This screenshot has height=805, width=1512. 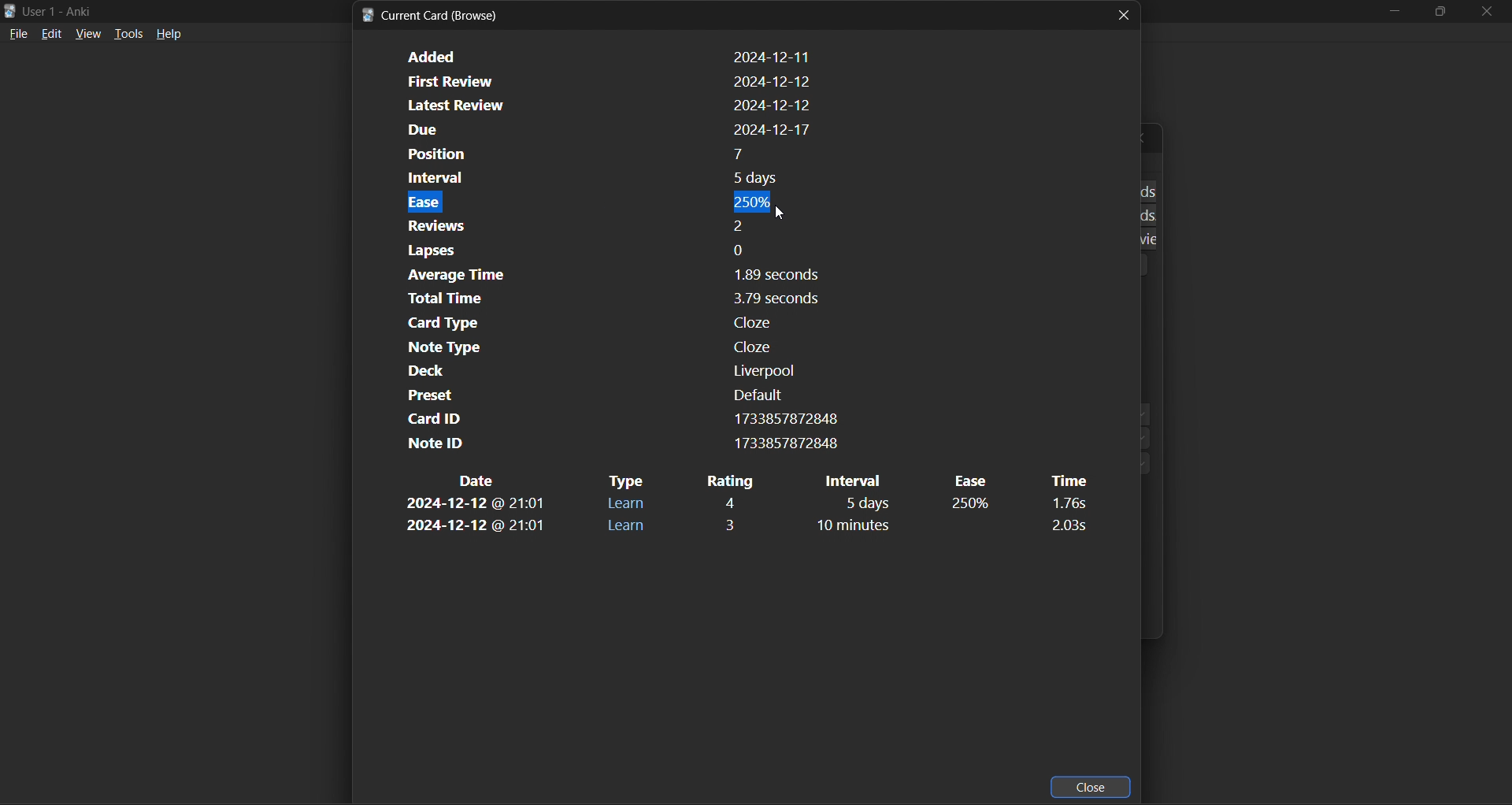 I want to click on note id, so click(x=617, y=443).